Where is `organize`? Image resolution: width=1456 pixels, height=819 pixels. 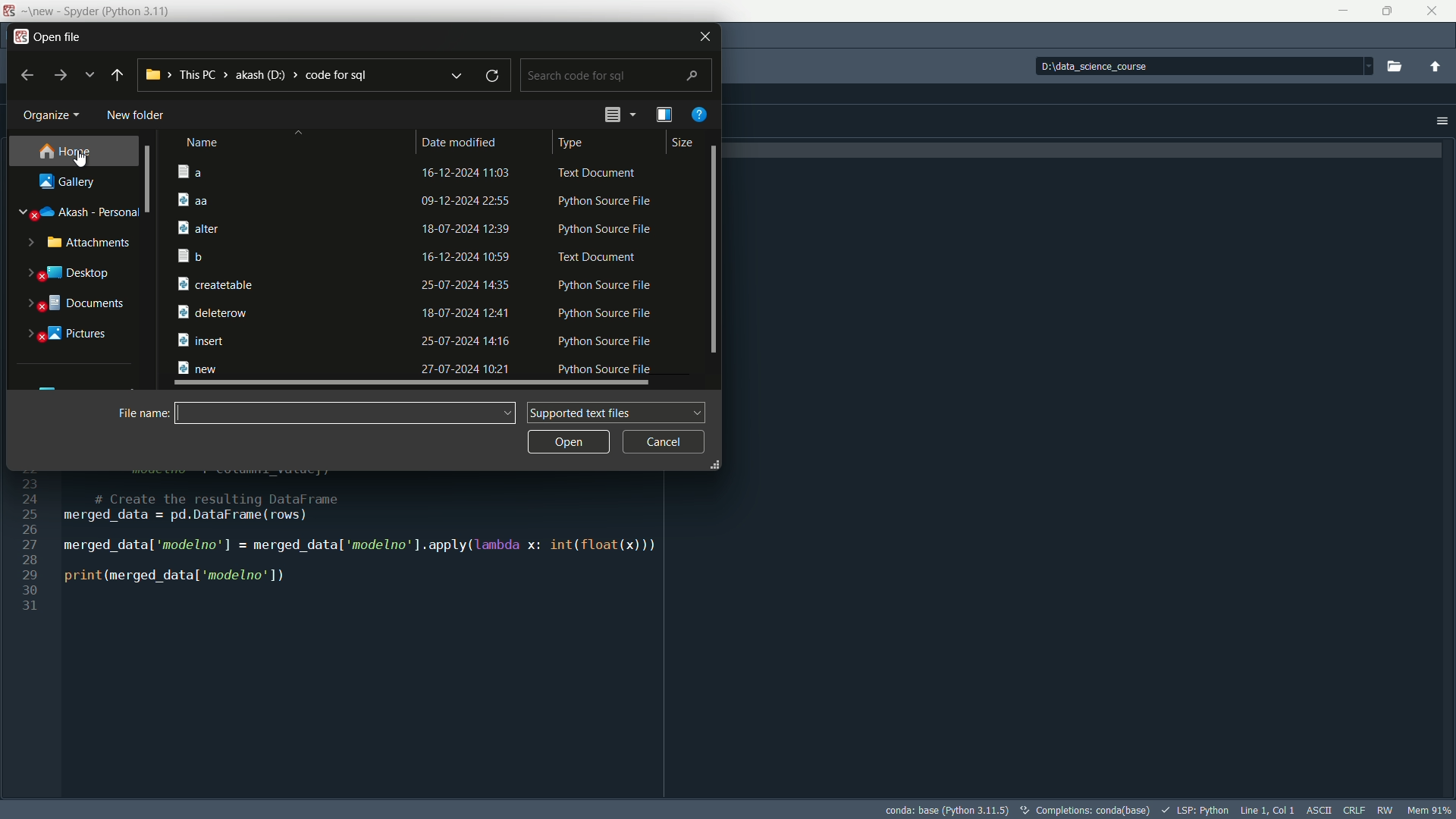 organize is located at coordinates (55, 117).